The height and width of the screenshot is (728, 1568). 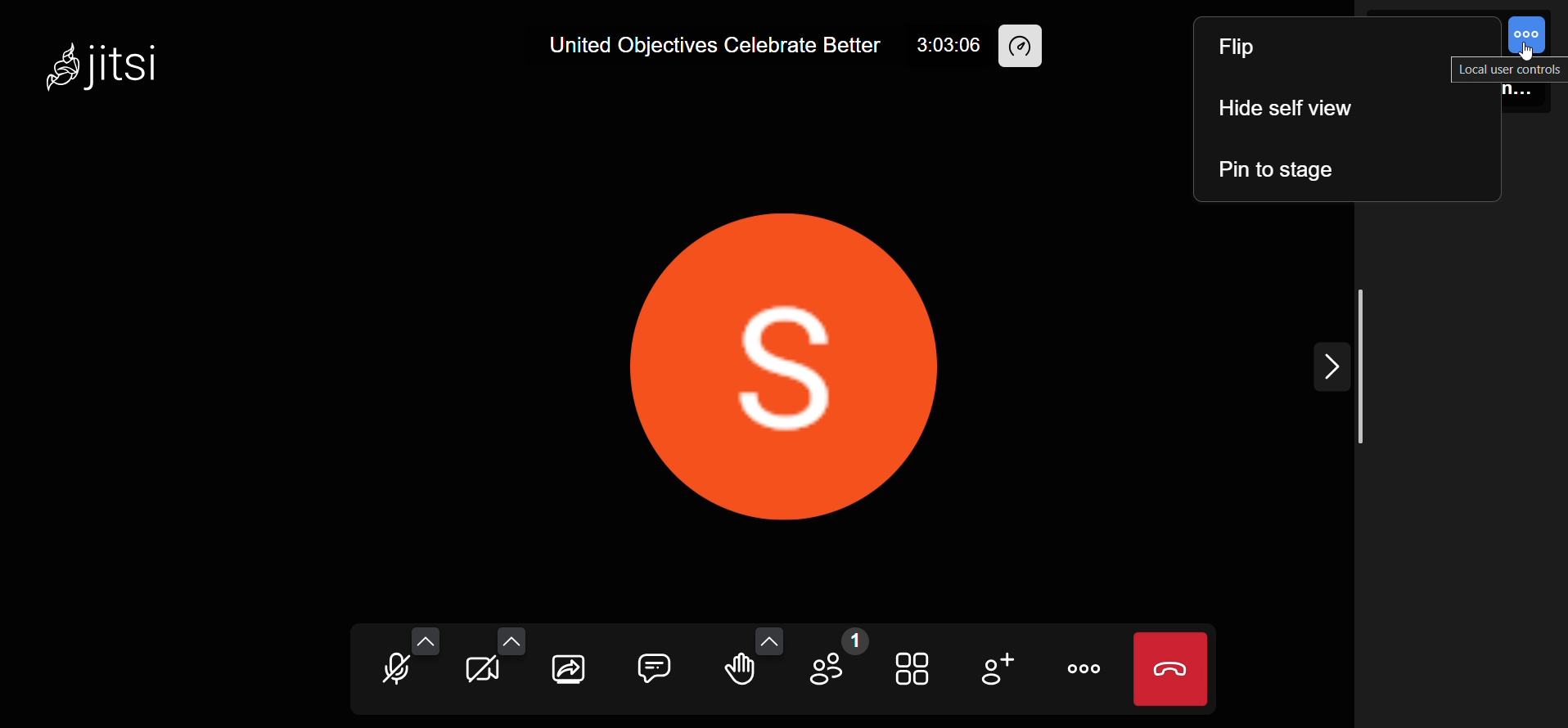 I want to click on cursor, so click(x=1527, y=55).